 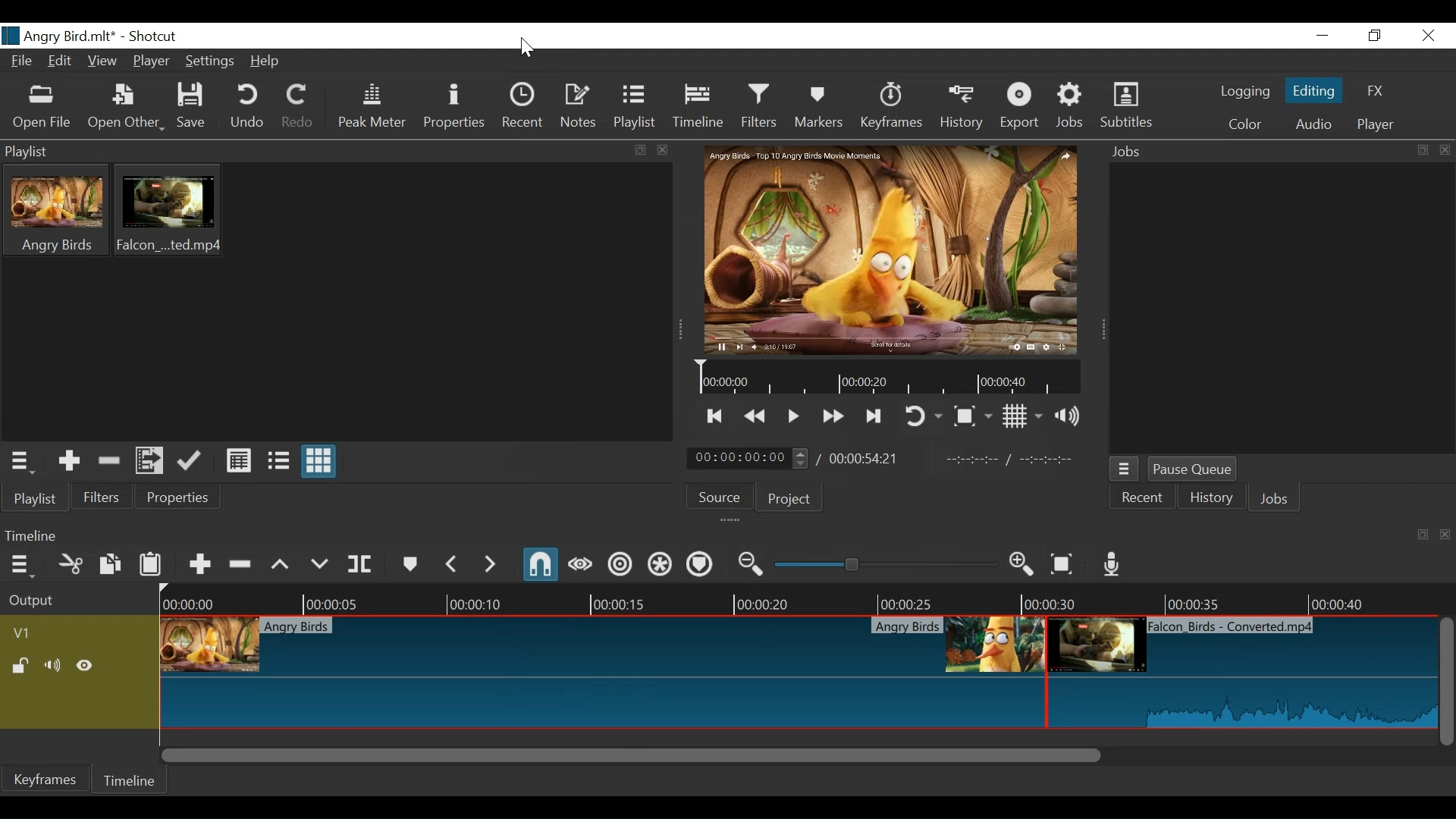 I want to click on Skip to the previous point, so click(x=712, y=416).